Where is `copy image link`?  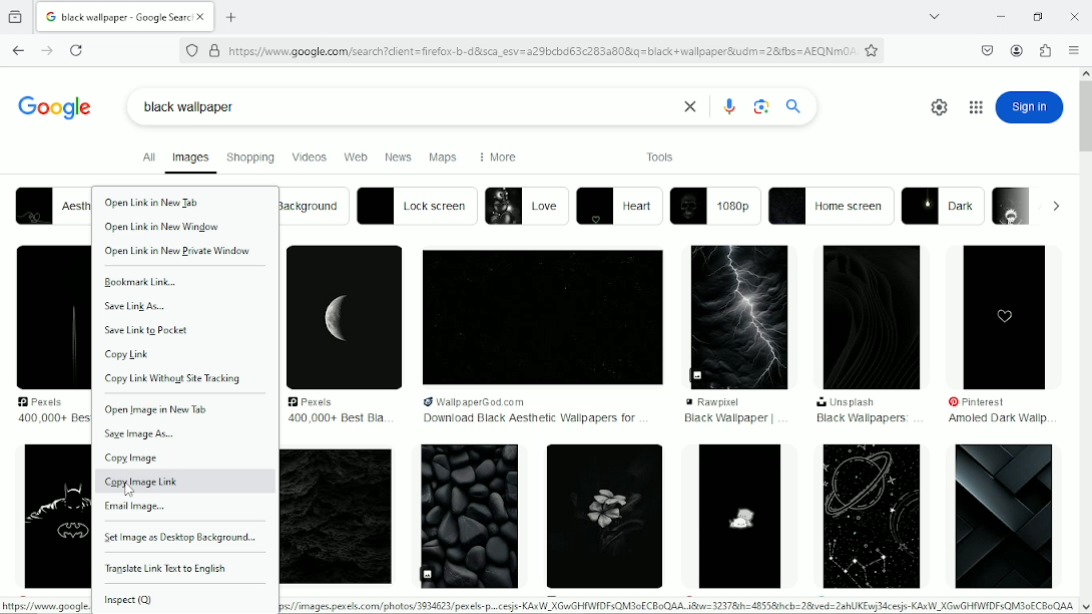 copy image link is located at coordinates (148, 482).